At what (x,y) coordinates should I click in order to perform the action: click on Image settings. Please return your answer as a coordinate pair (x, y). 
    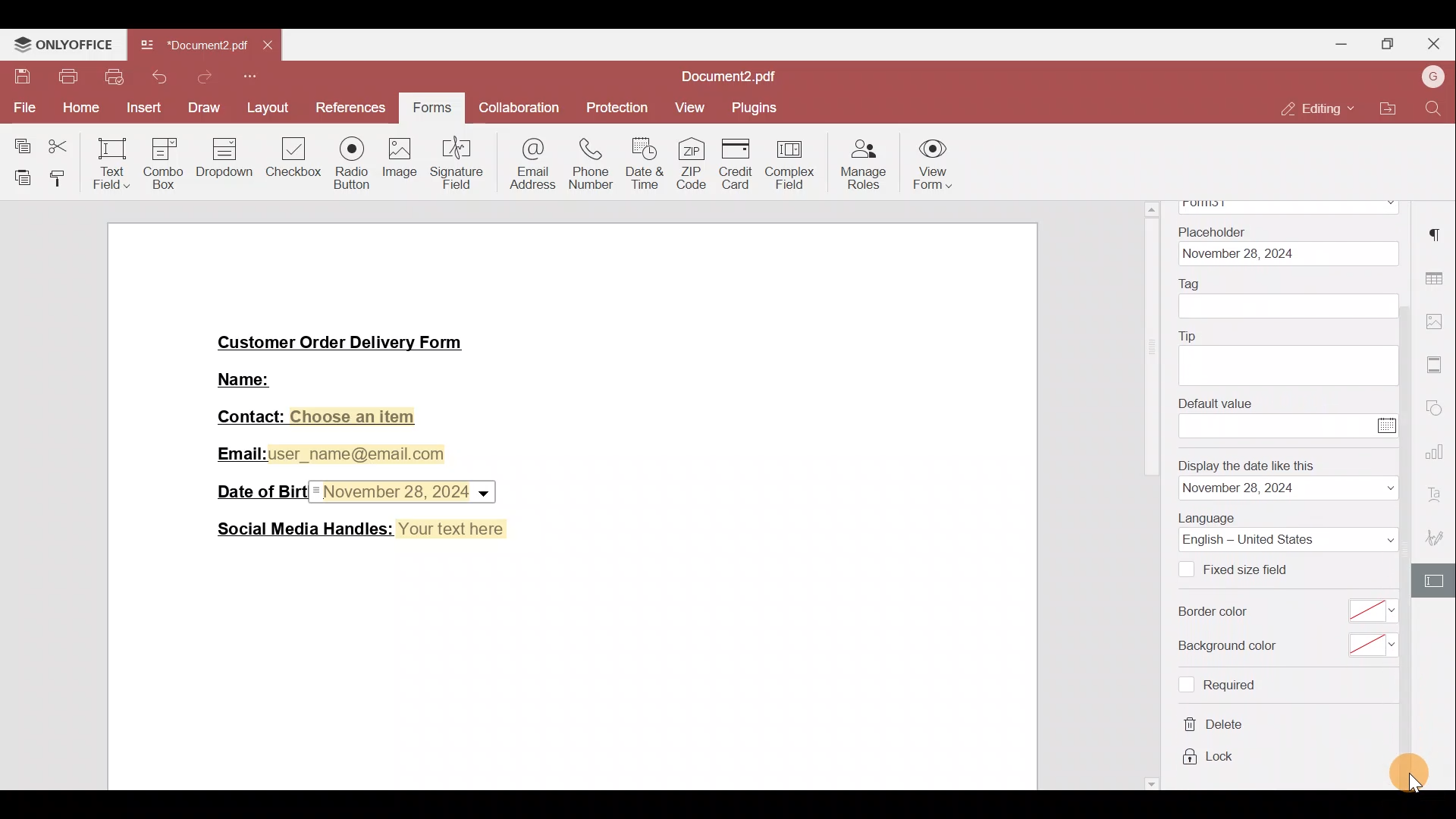
    Looking at the image, I should click on (1438, 324).